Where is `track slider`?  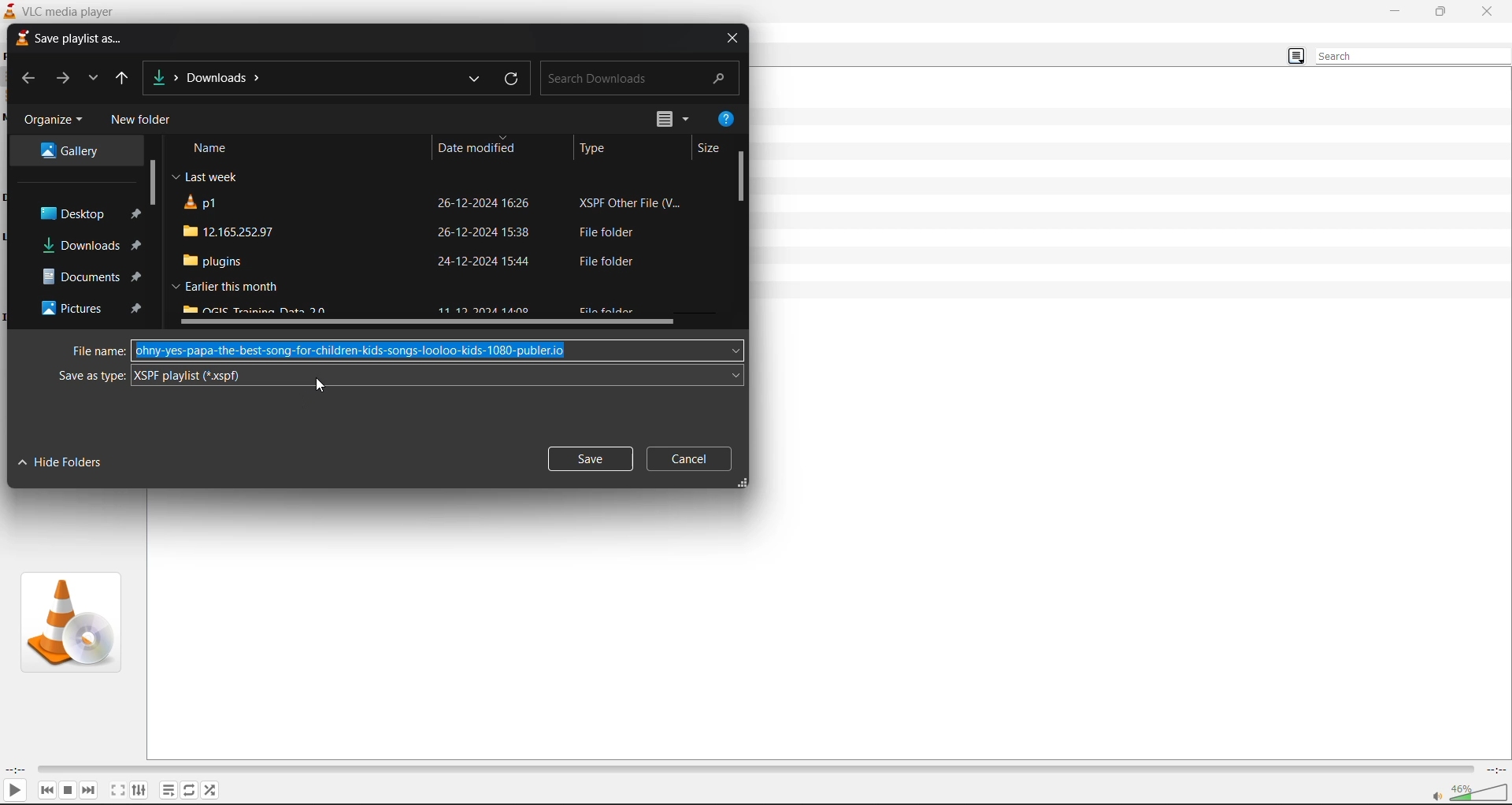
track slider is located at coordinates (757, 767).